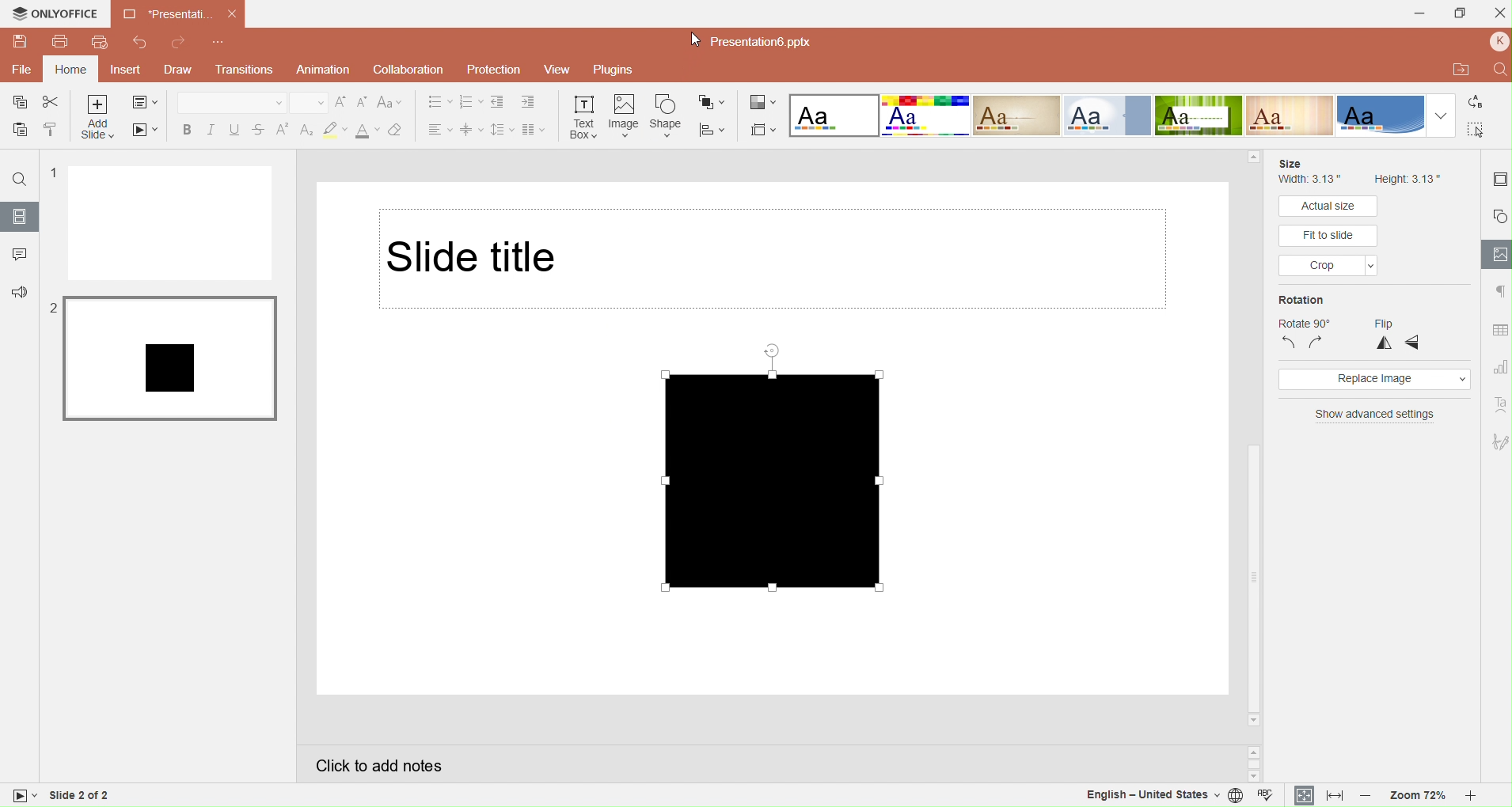  I want to click on Slide title, so click(771, 258).